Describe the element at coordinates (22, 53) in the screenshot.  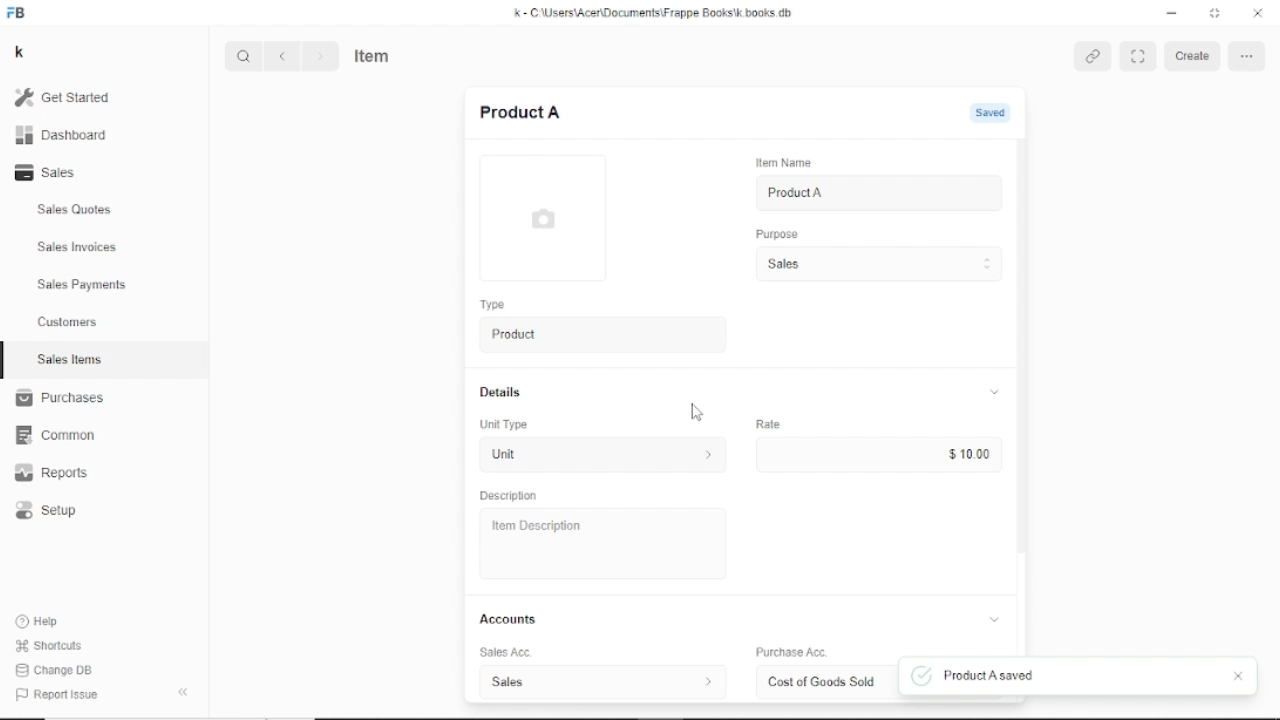
I see `k` at that location.